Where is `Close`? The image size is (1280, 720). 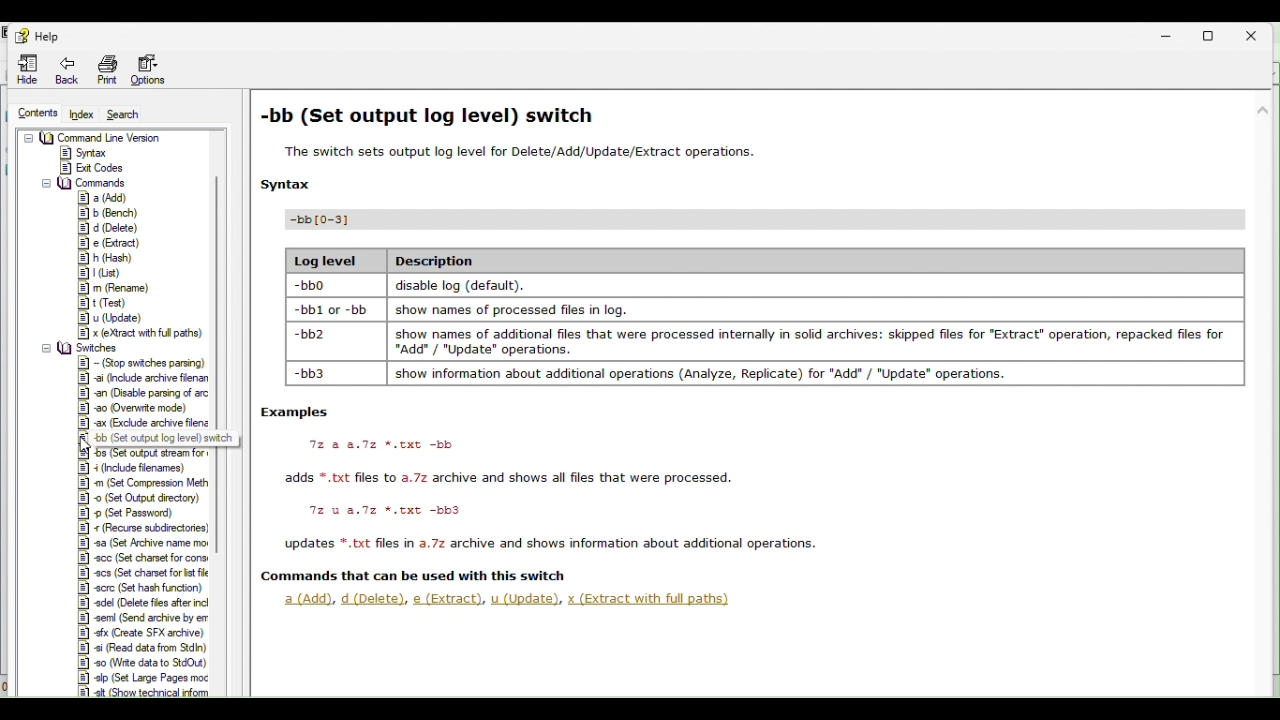 Close is located at coordinates (1260, 33).